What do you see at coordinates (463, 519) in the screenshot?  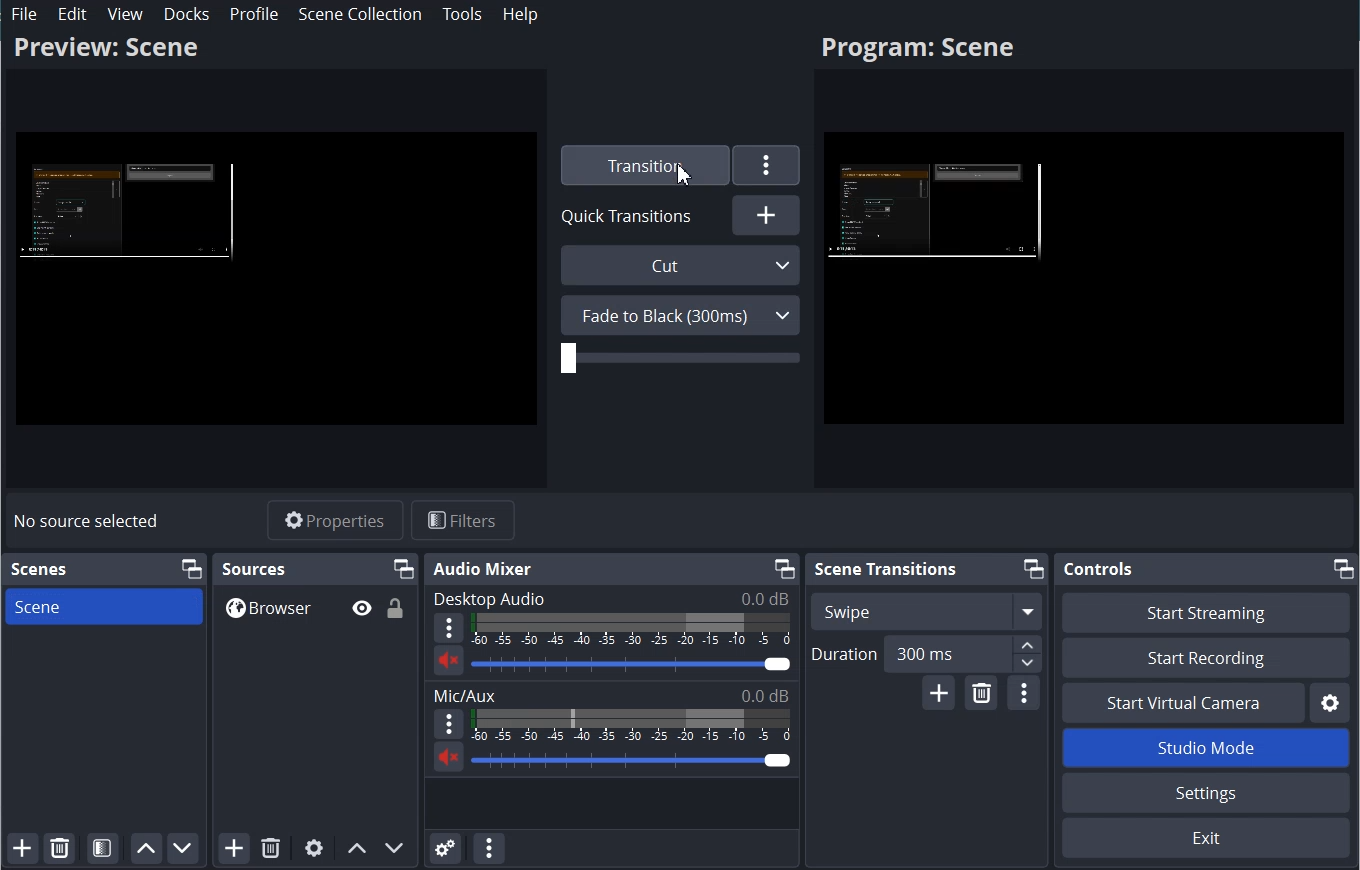 I see `Filters` at bounding box center [463, 519].